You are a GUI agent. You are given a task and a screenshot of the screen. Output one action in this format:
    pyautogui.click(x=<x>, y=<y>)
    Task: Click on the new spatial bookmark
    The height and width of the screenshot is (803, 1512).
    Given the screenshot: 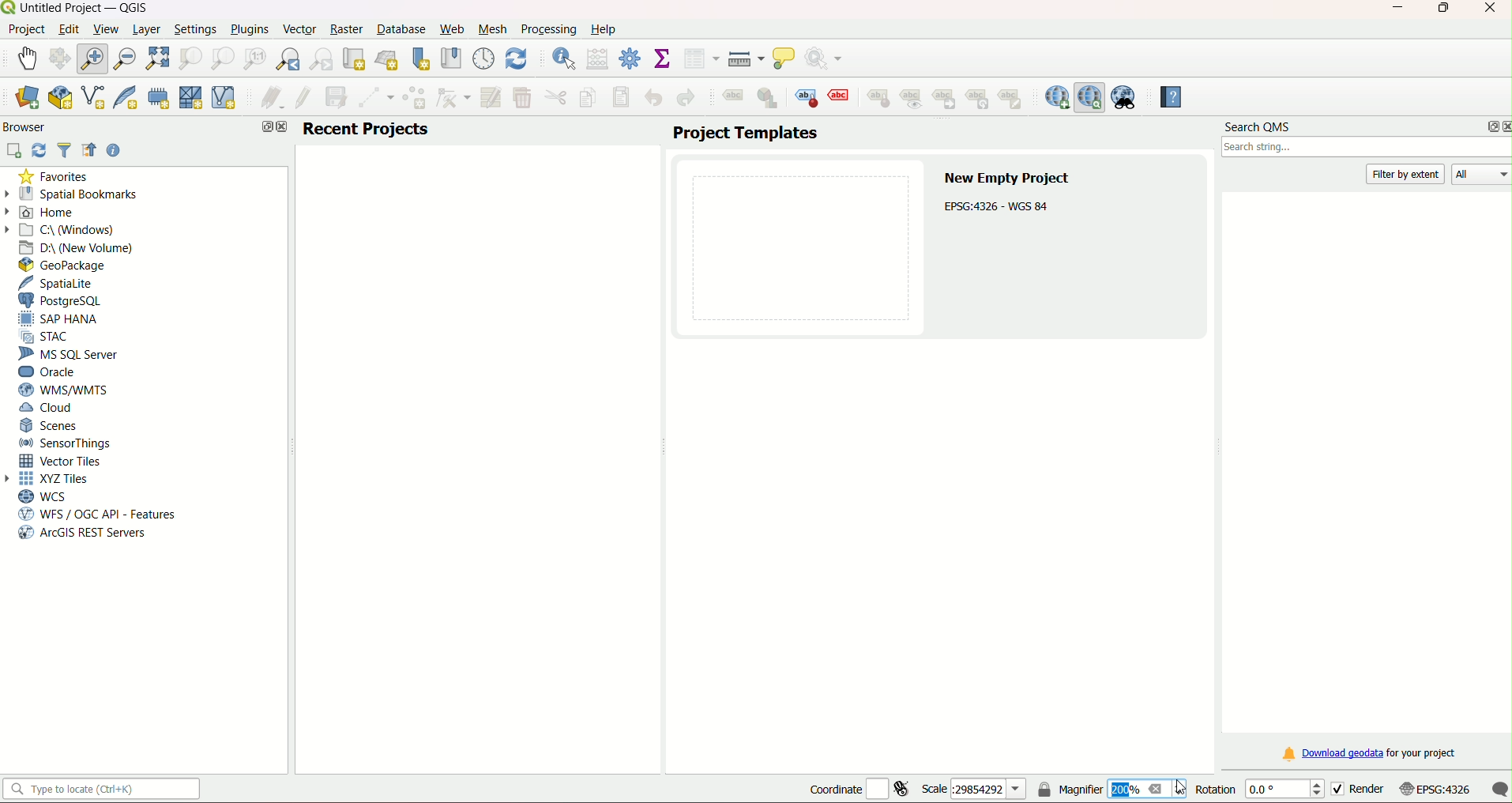 What is the action you would take?
    pyautogui.click(x=421, y=58)
    